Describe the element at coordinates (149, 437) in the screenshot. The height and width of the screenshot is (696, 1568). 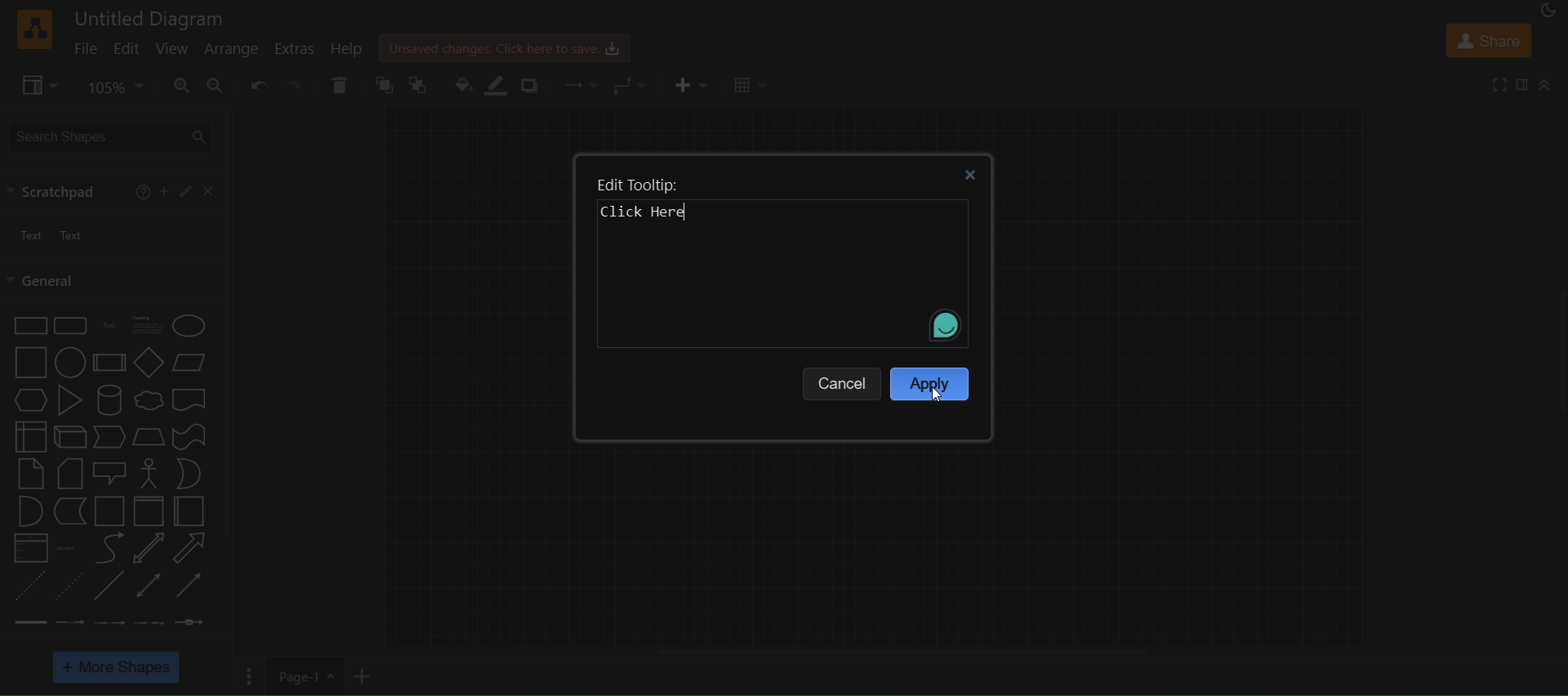
I see `trapezoid` at that location.